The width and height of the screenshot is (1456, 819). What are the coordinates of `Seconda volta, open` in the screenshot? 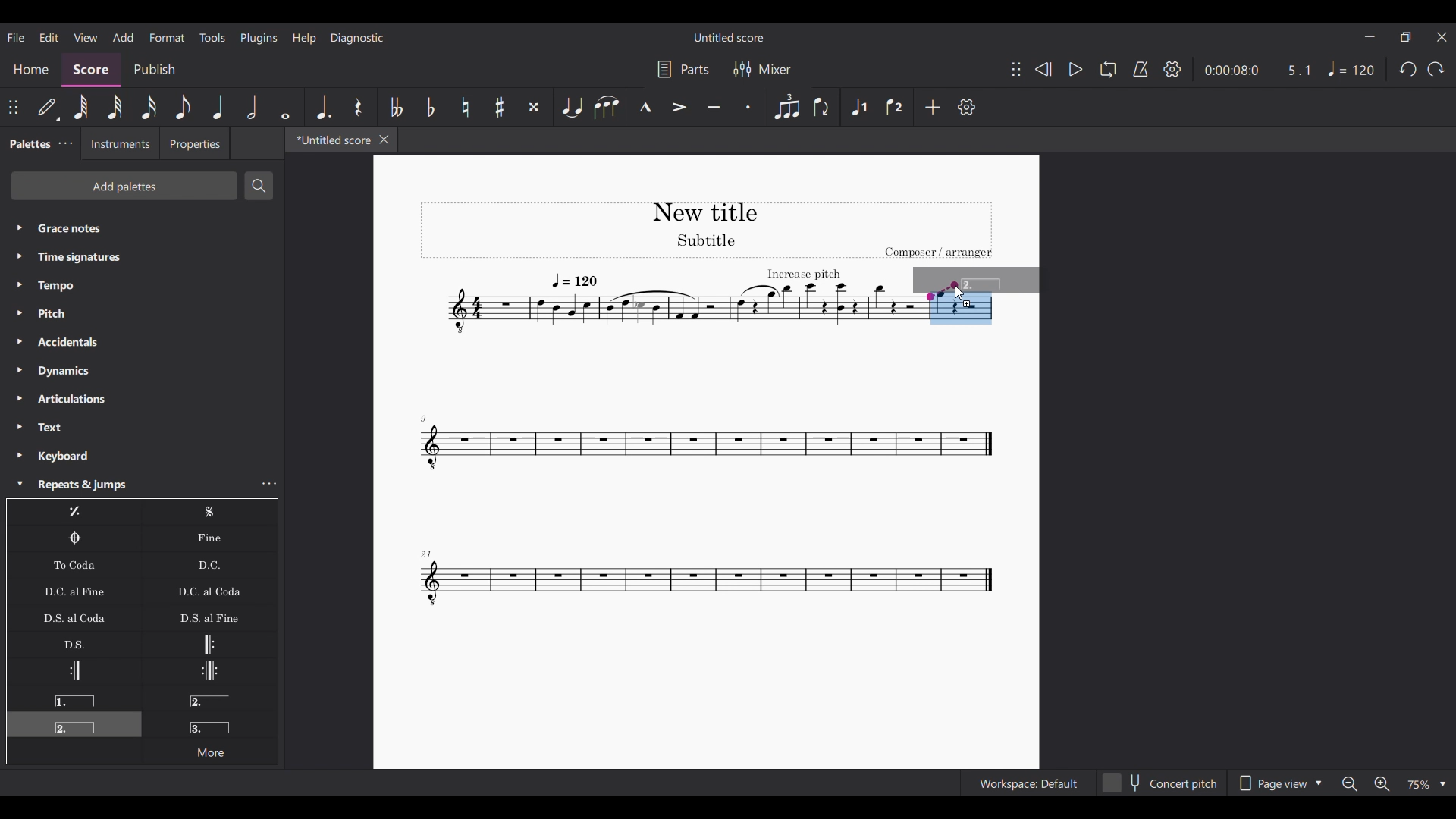 It's located at (209, 698).